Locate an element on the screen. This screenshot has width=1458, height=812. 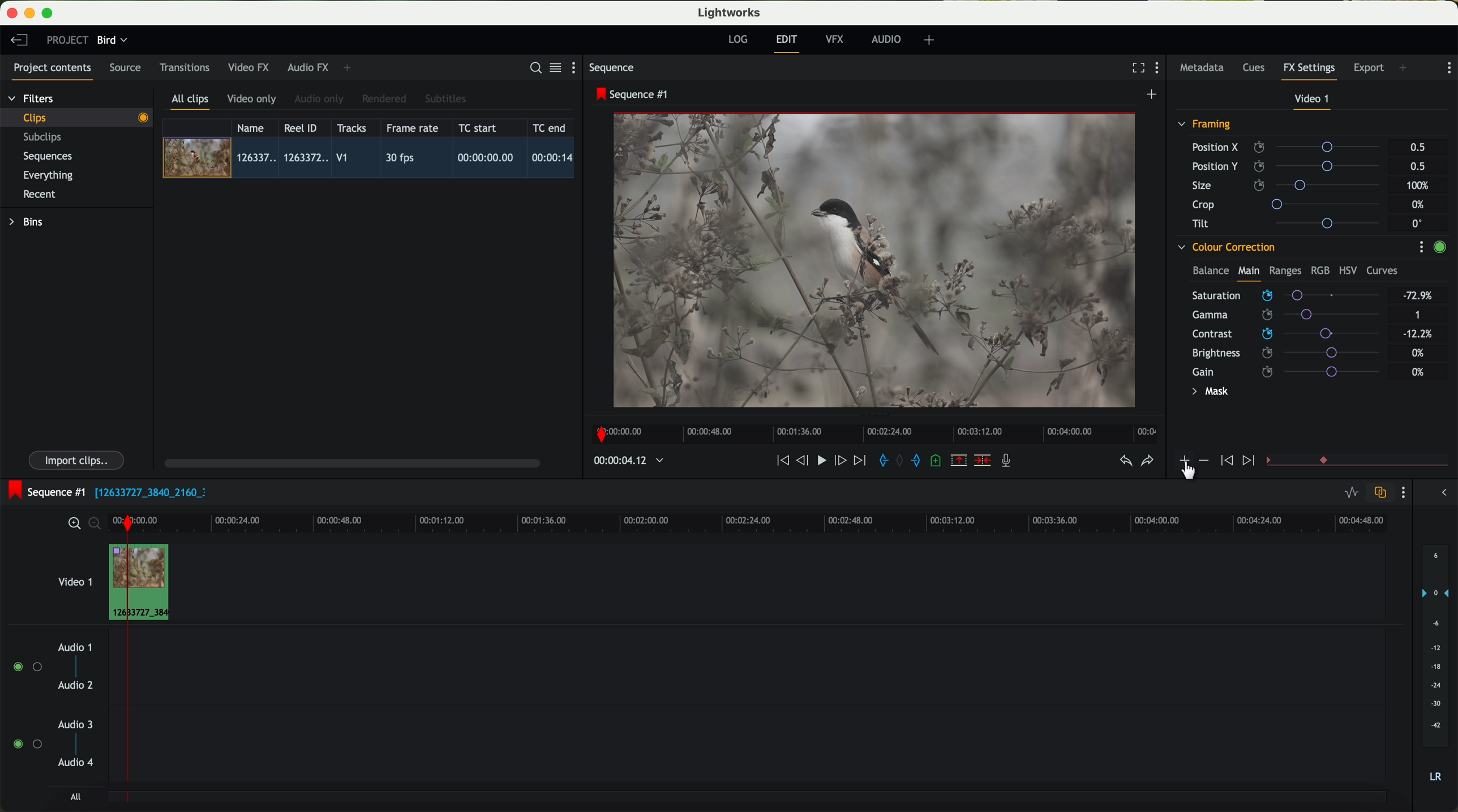
HSV is located at coordinates (1347, 270).